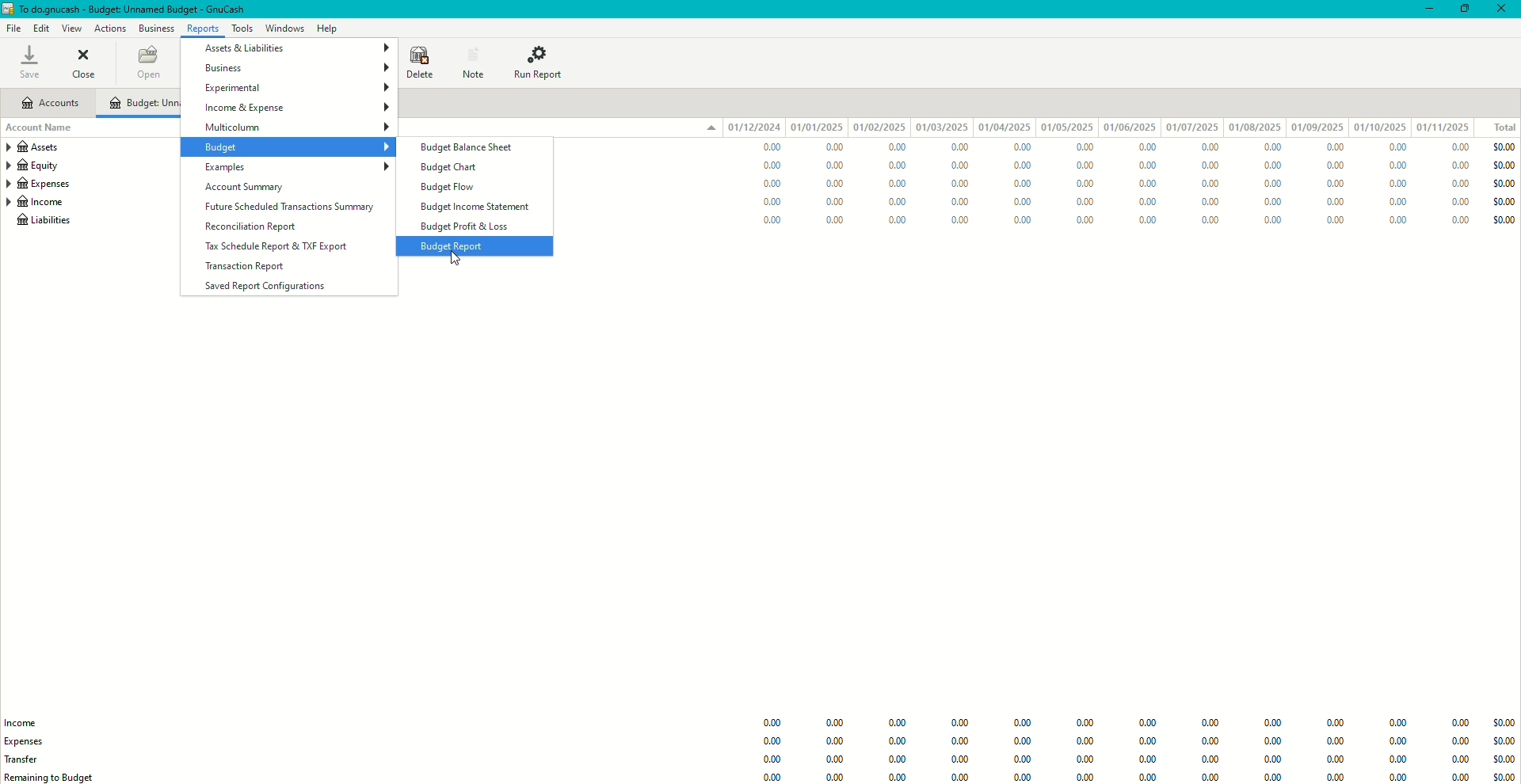 The height and width of the screenshot is (784, 1521). What do you see at coordinates (471, 61) in the screenshot?
I see `Note` at bounding box center [471, 61].